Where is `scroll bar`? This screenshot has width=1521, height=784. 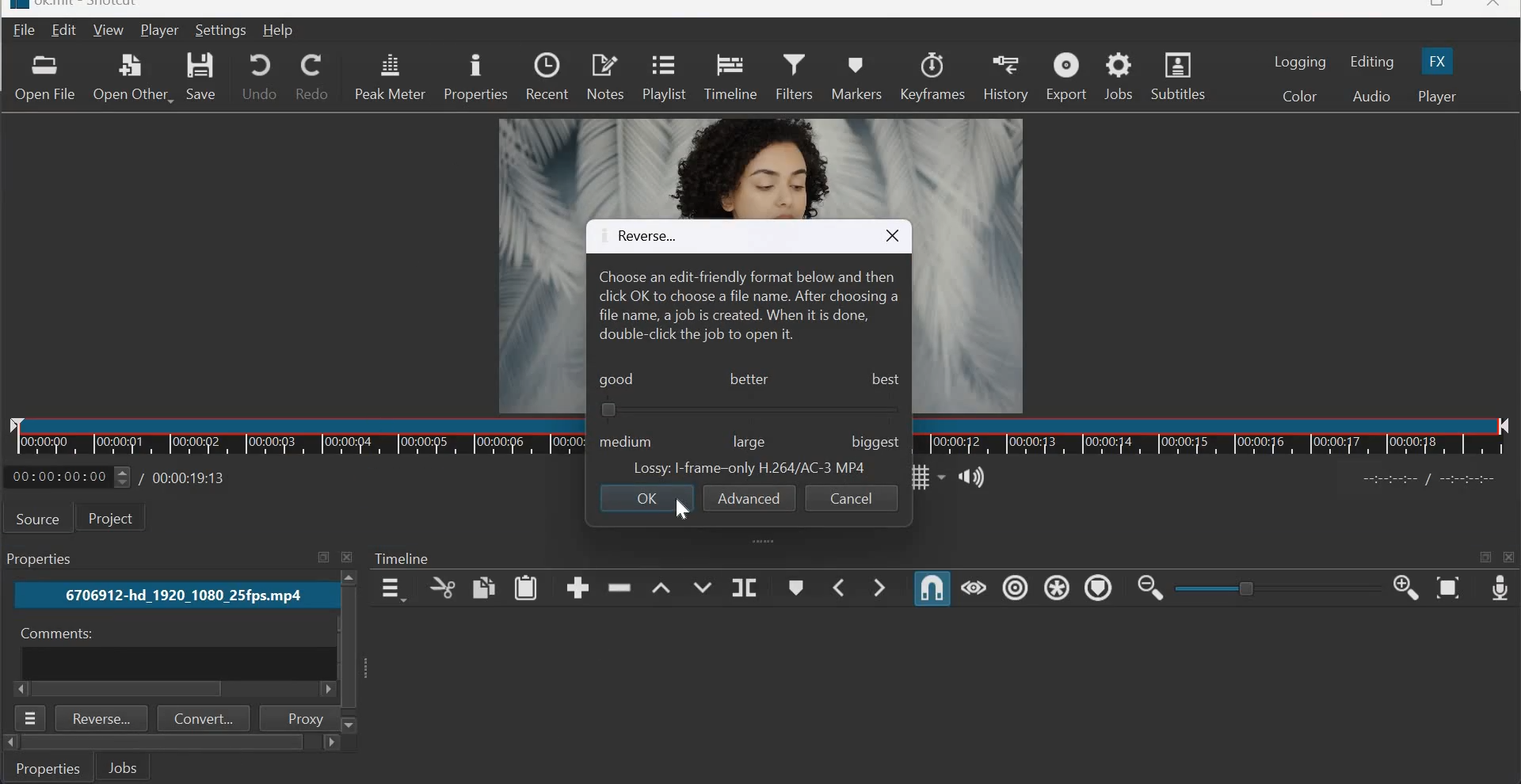
scroll bar is located at coordinates (163, 743).